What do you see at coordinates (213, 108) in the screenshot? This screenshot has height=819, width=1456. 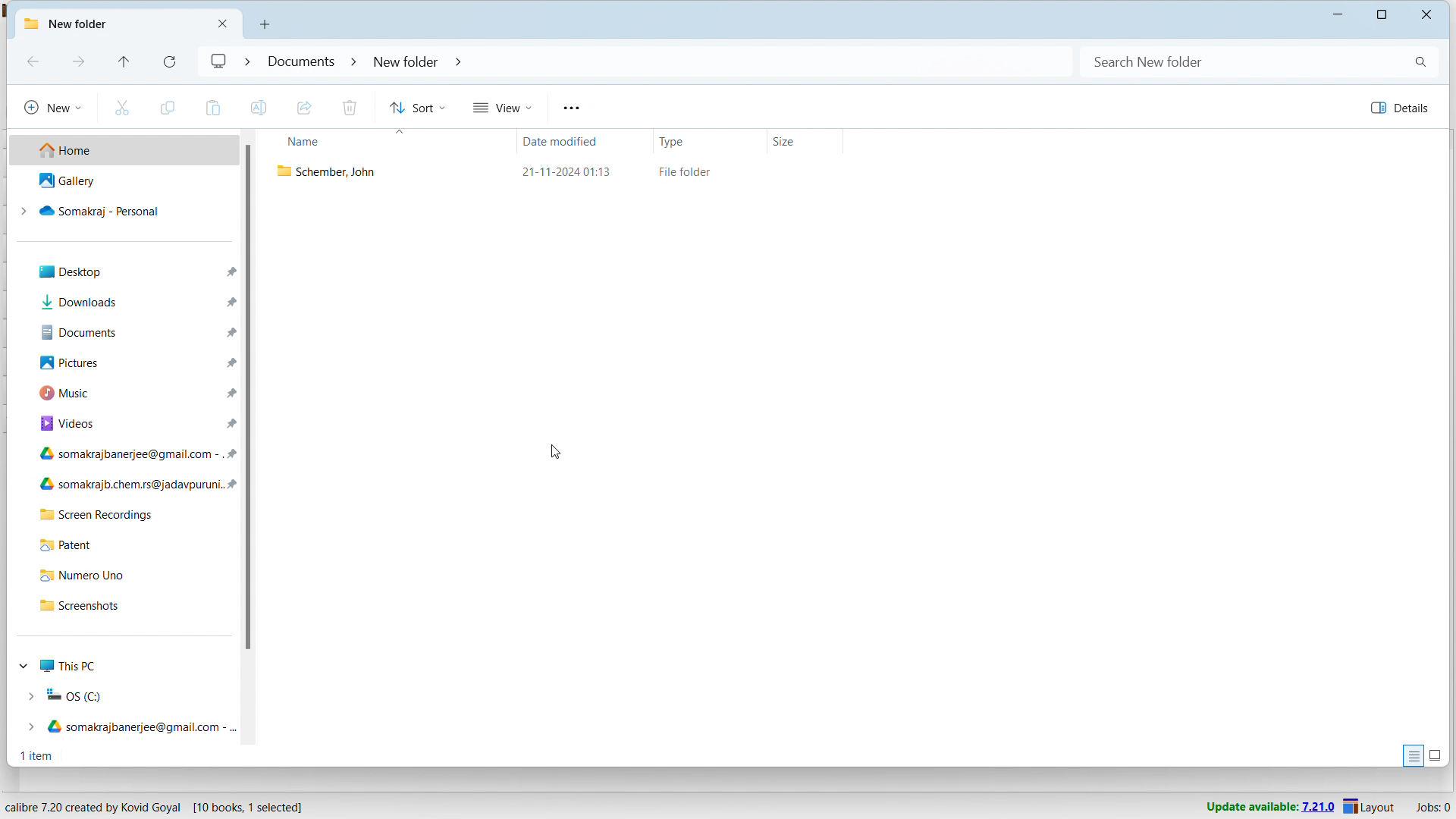 I see `paste` at bounding box center [213, 108].